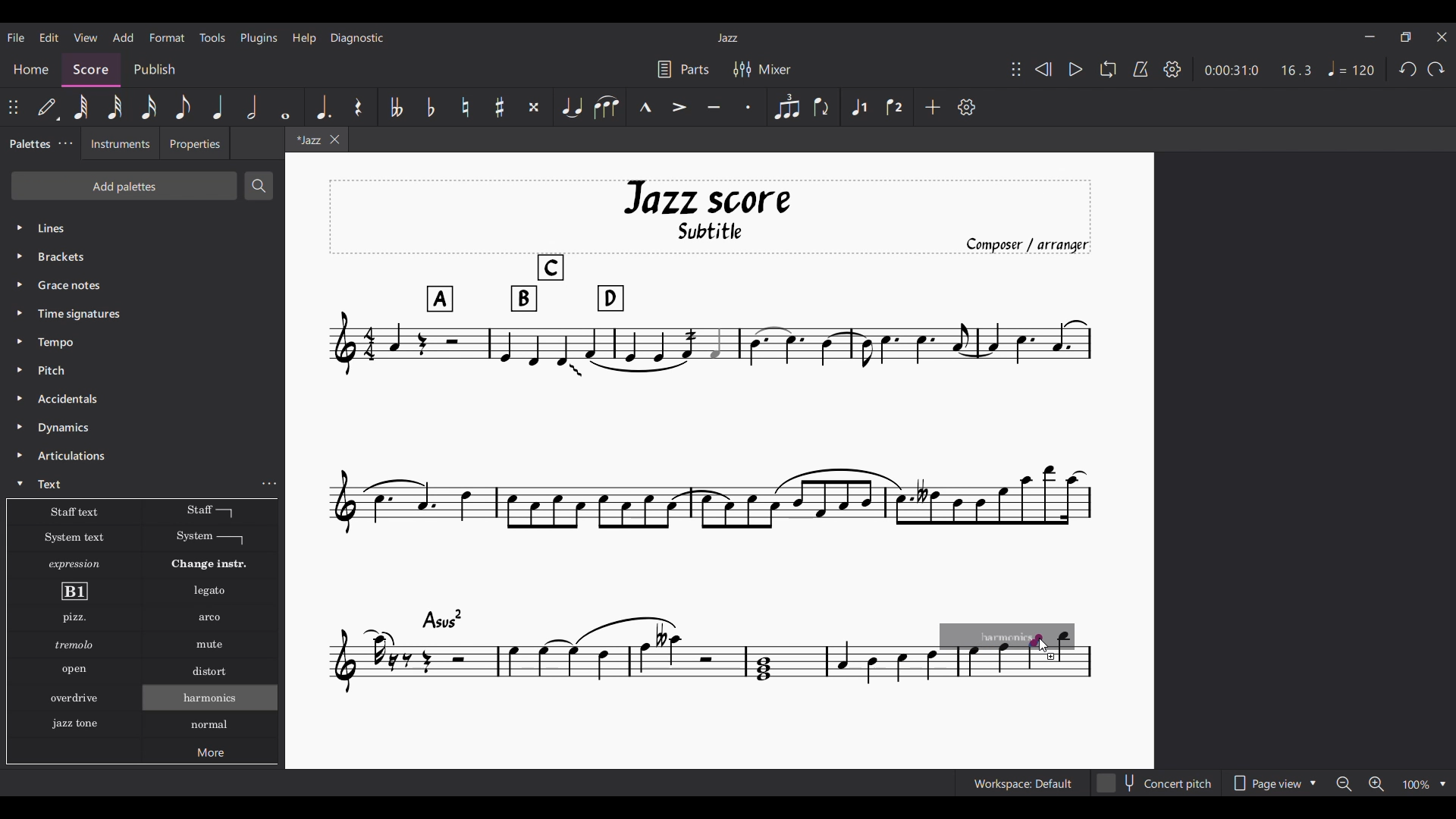 Image resolution: width=1456 pixels, height=819 pixels. Describe the element at coordinates (68, 284) in the screenshot. I see `` at that location.